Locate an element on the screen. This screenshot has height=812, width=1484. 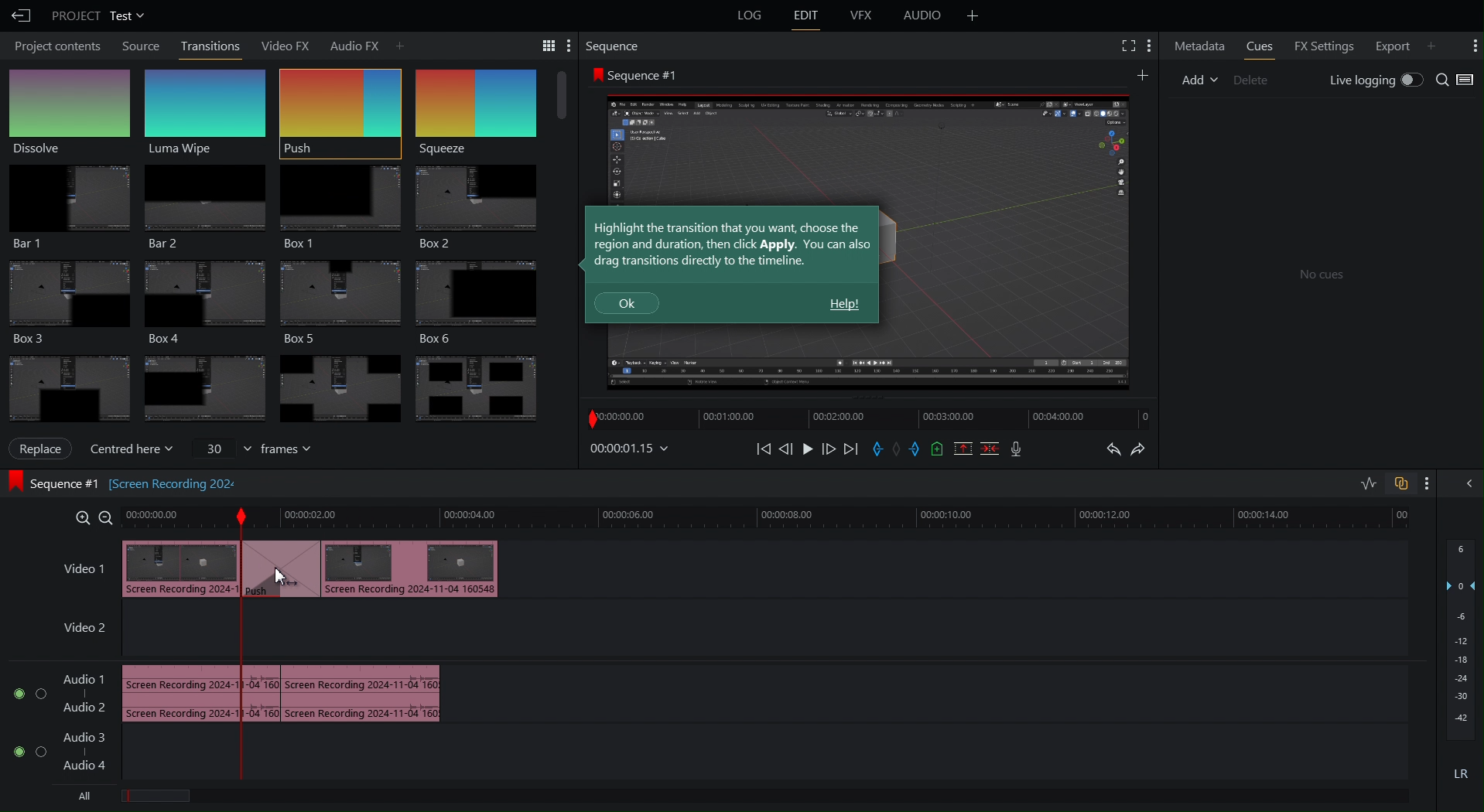
Toggles is located at coordinates (1395, 483).